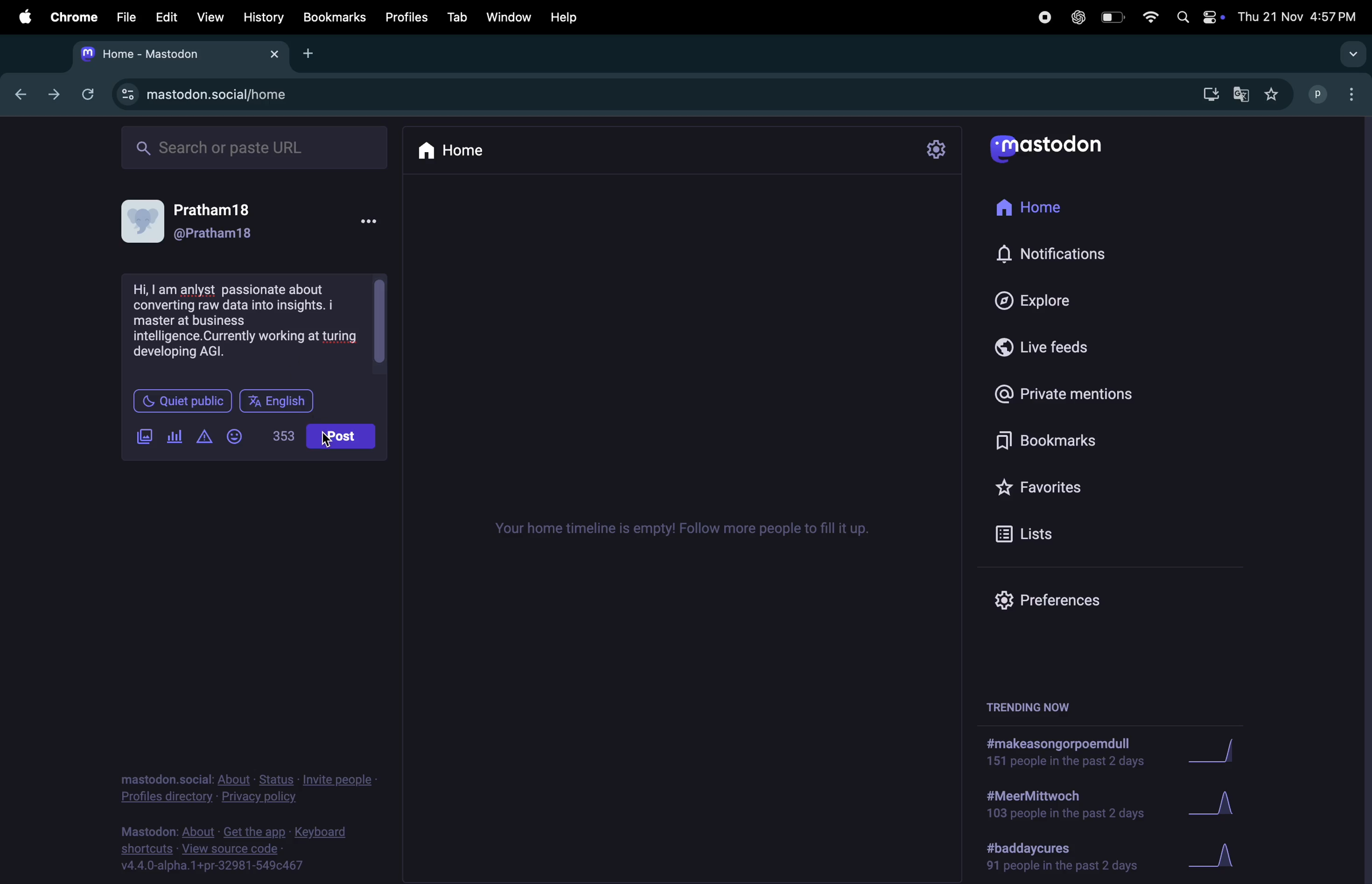  I want to click on work description, so click(246, 321).